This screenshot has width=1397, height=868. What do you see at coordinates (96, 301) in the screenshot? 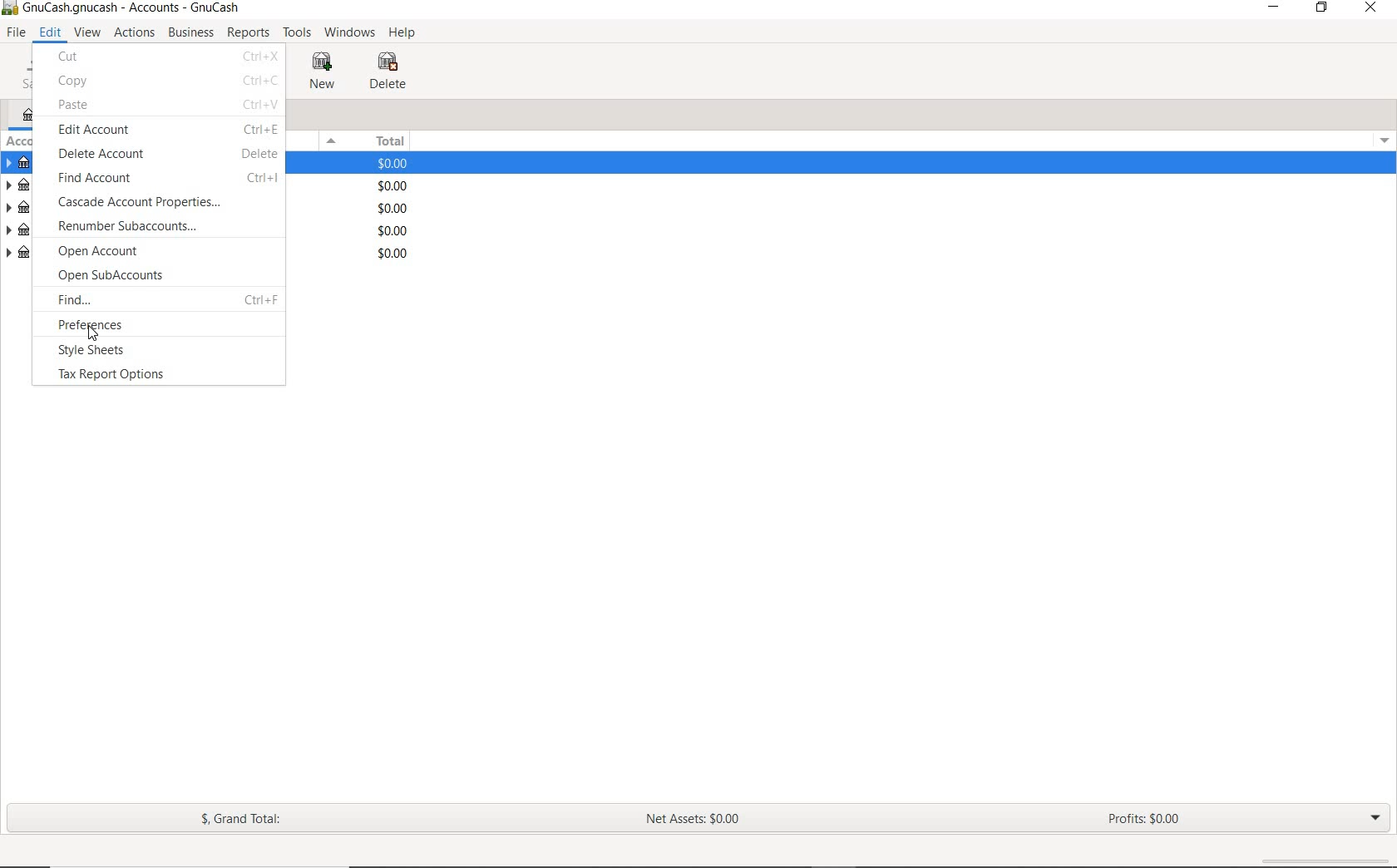
I see `FIND` at bounding box center [96, 301].